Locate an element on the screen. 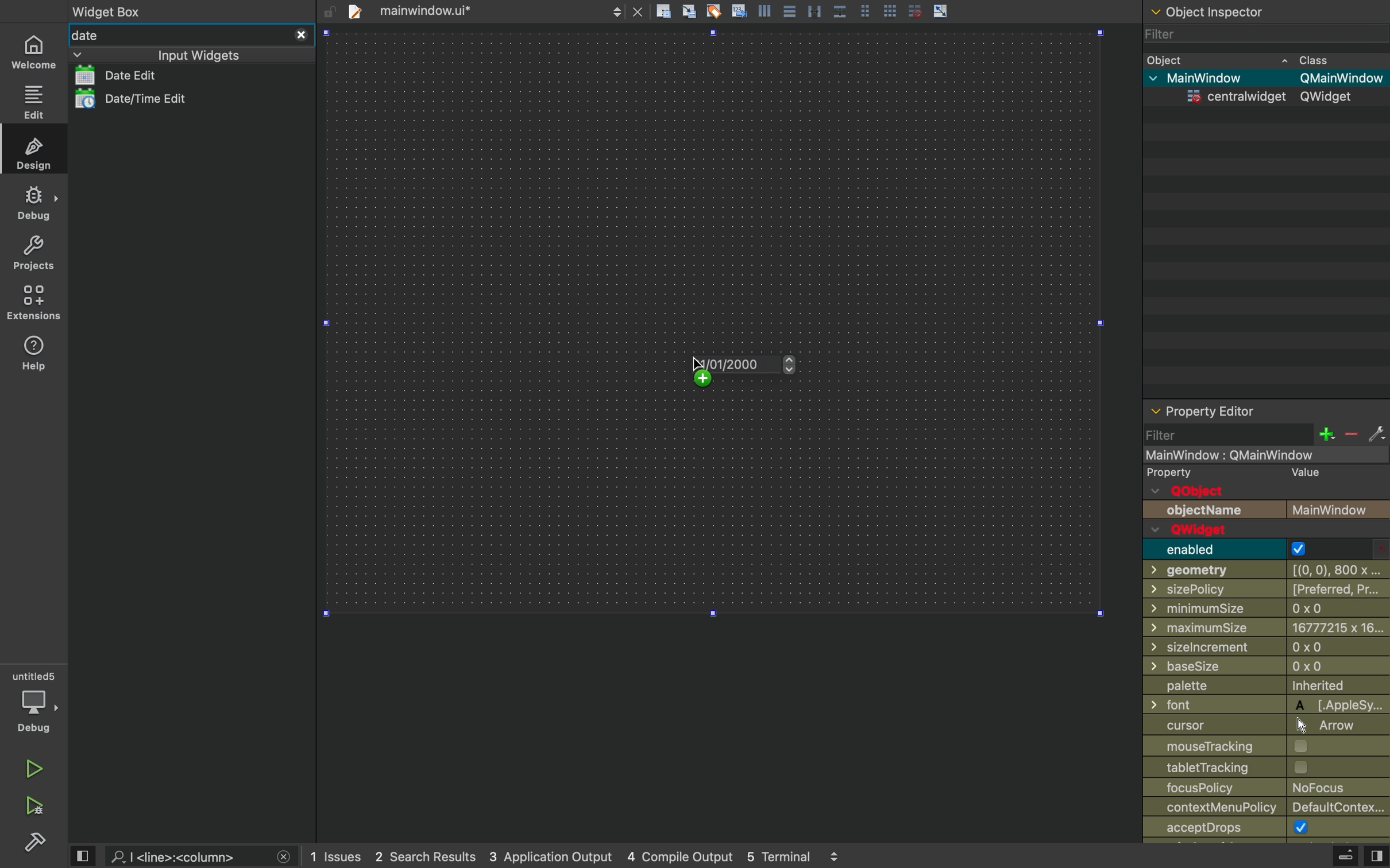 This screenshot has width=1390, height=868. file tab is located at coordinates (470, 10).